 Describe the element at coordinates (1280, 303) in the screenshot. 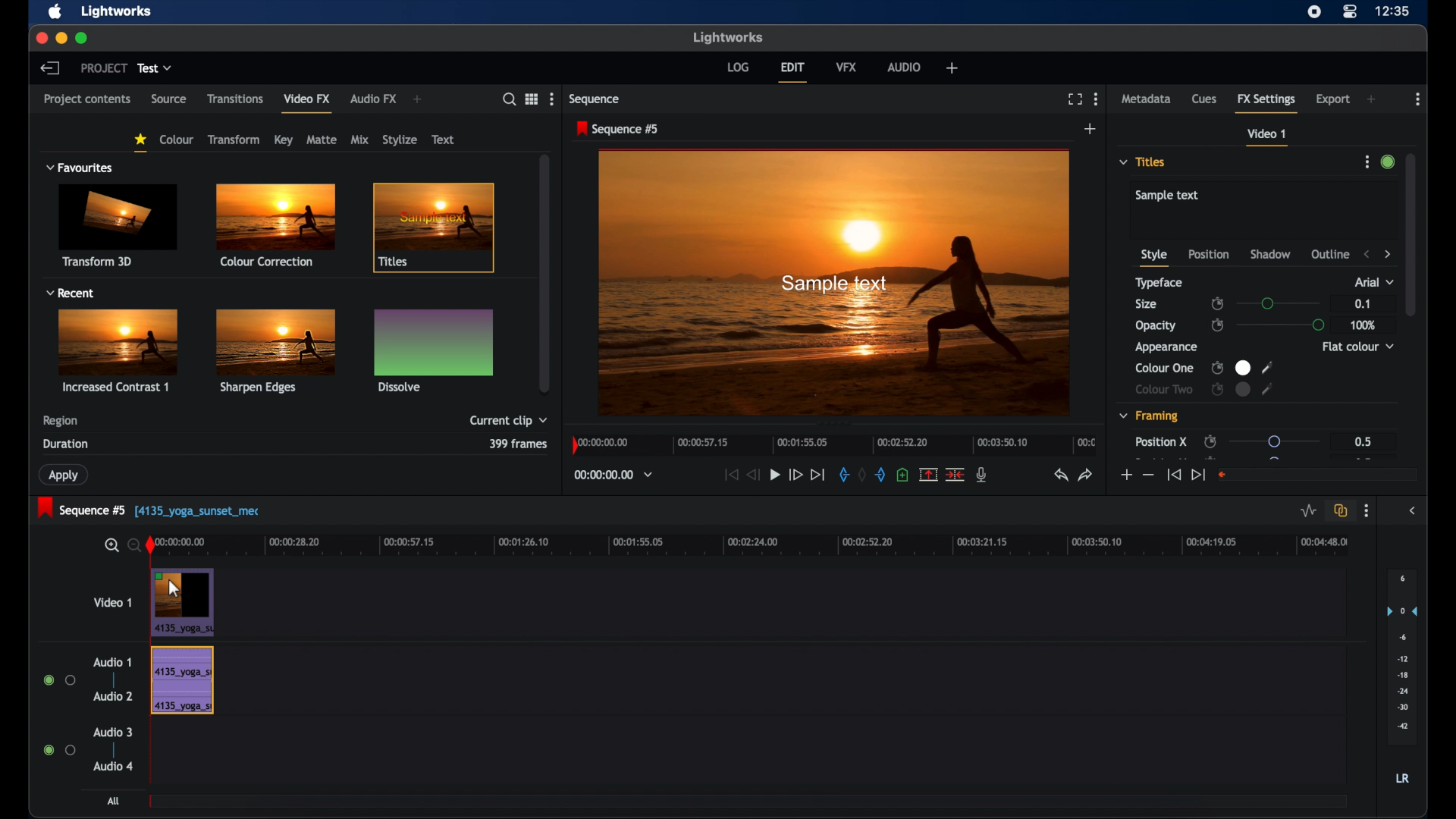

I see `slider` at that location.